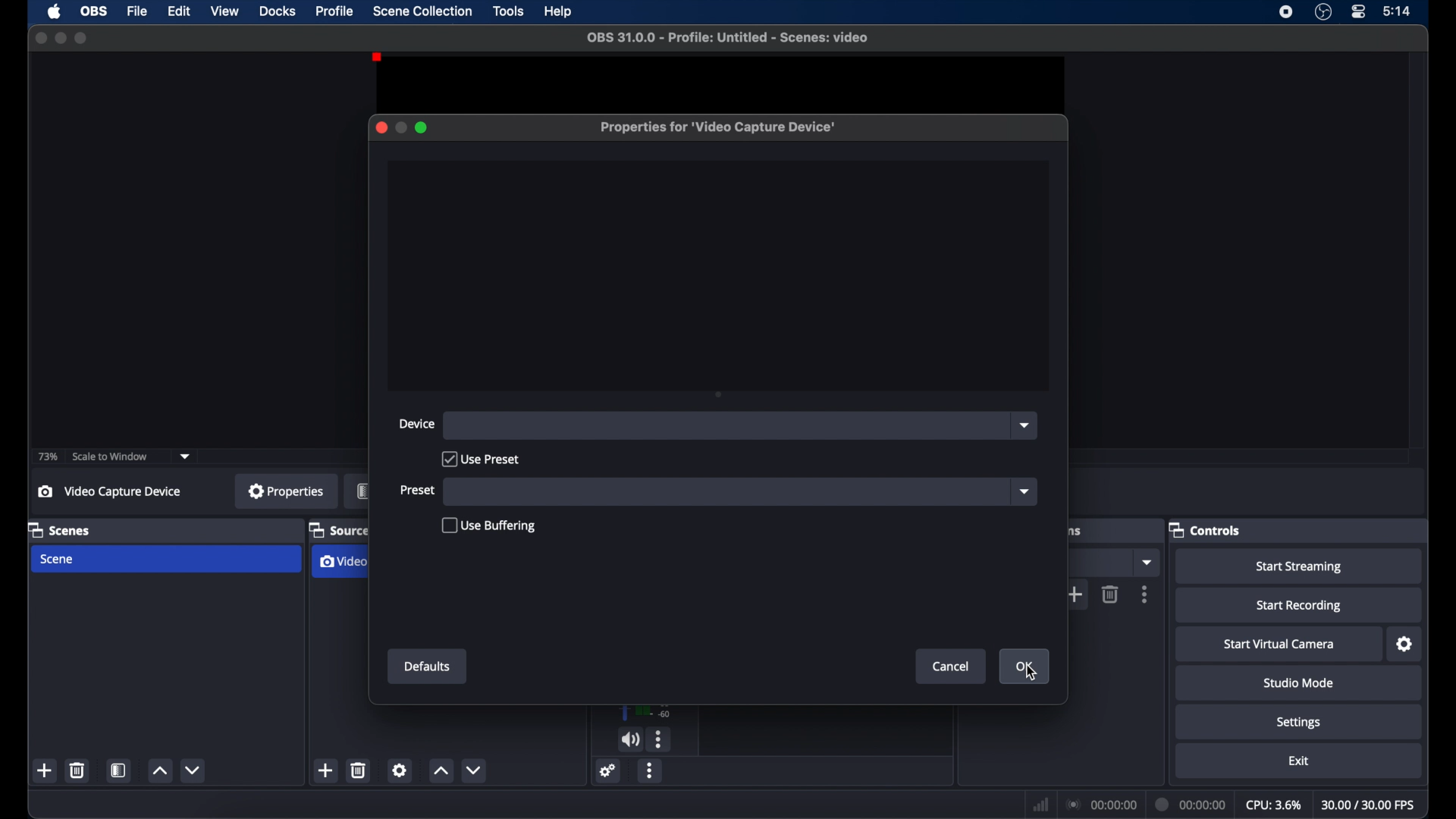  I want to click on Video Options, so click(342, 562).